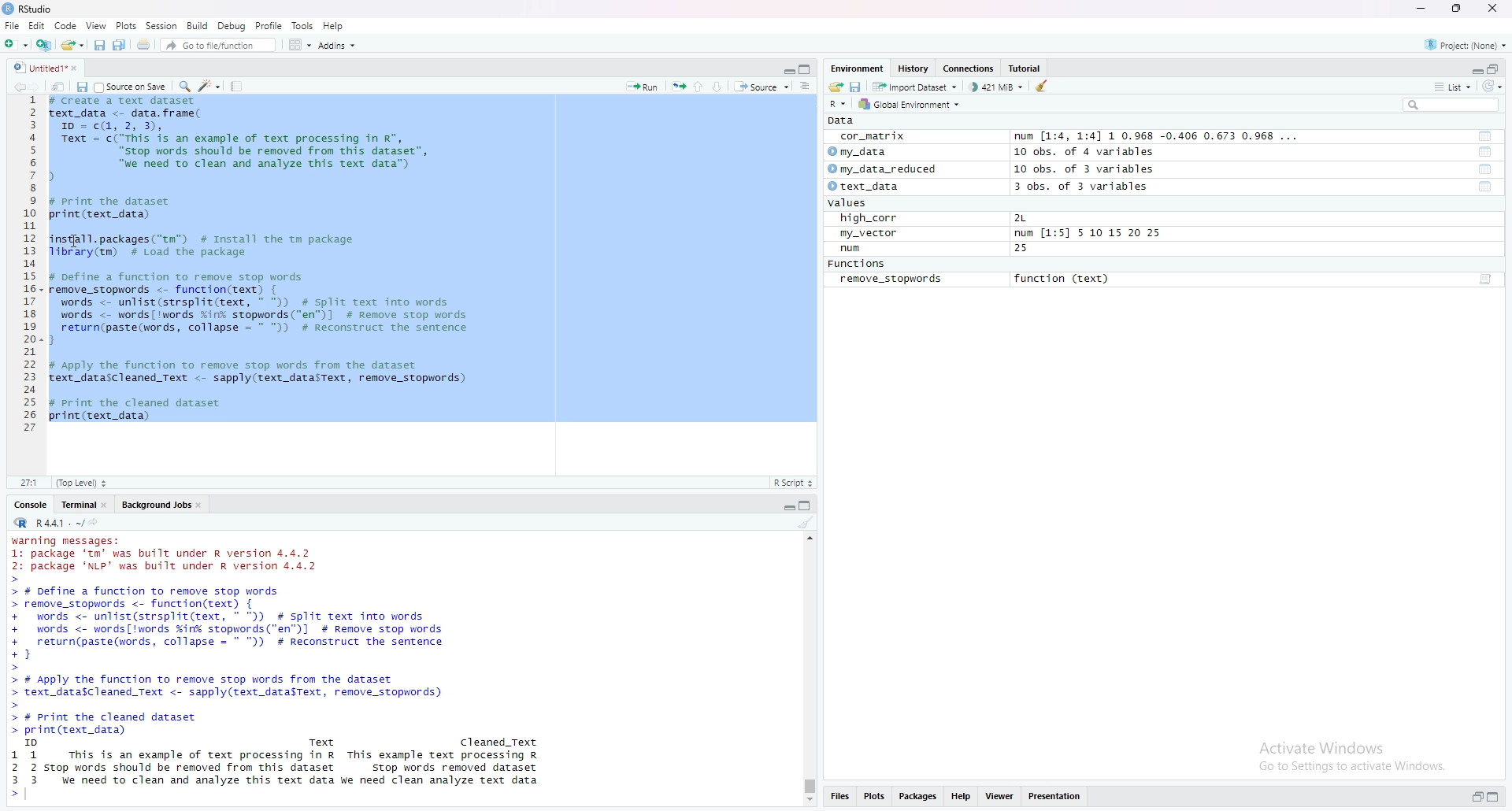  Describe the element at coordinates (1466, 45) in the screenshot. I see `project(None)` at that location.